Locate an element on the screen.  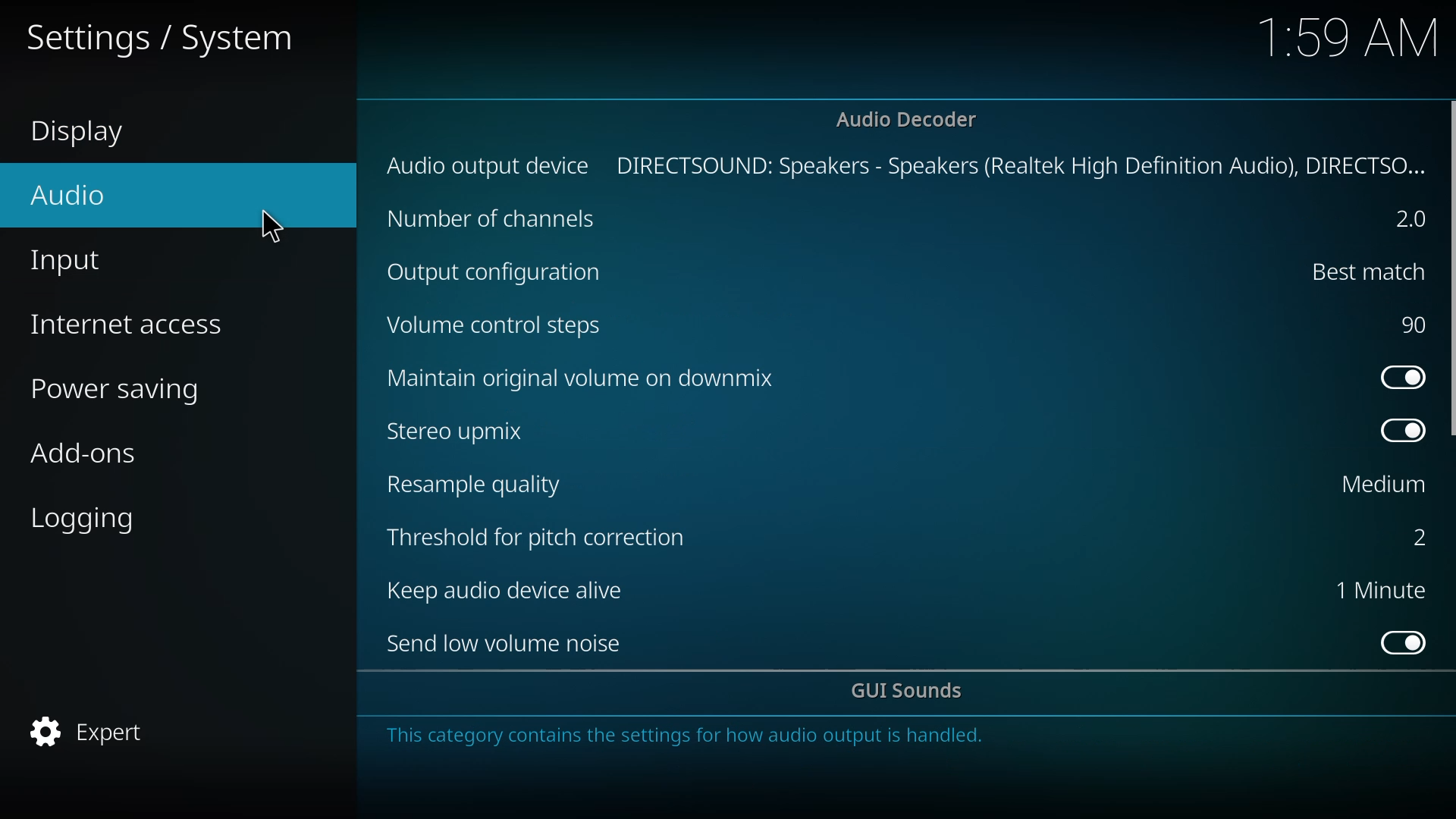
90 is located at coordinates (1411, 325).